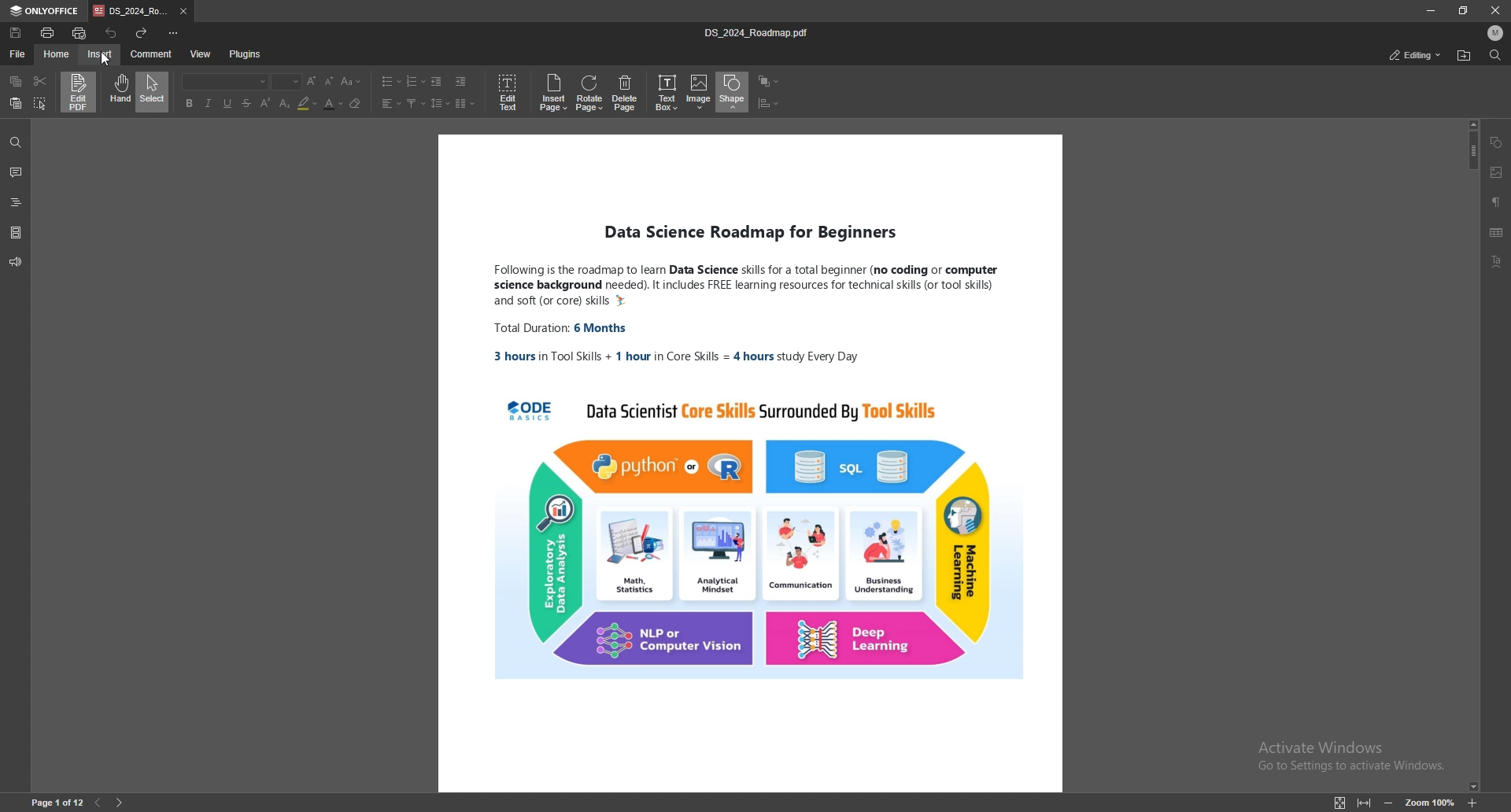  I want to click on print, so click(48, 32).